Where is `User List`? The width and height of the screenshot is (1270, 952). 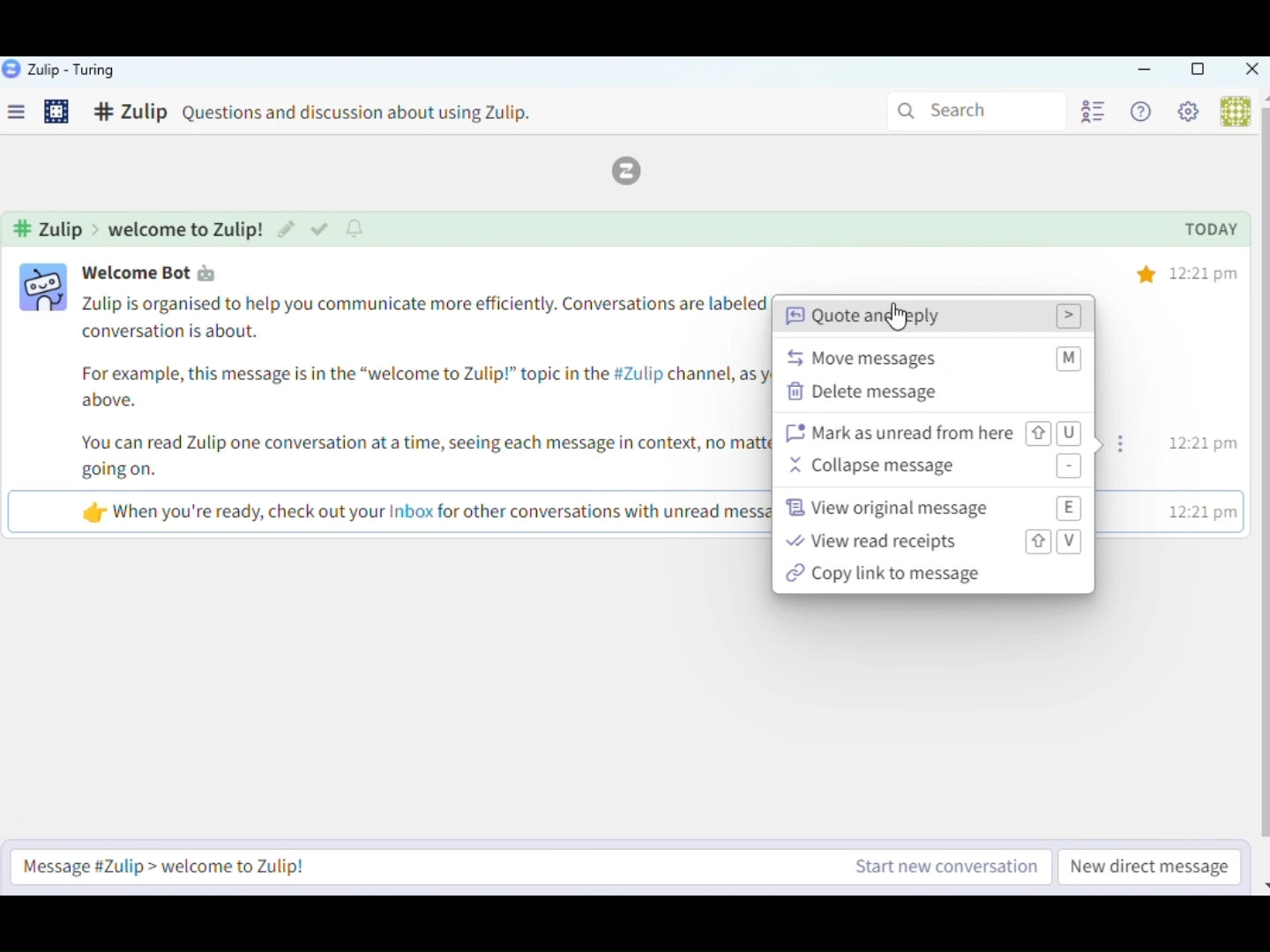
User List is located at coordinates (1091, 110).